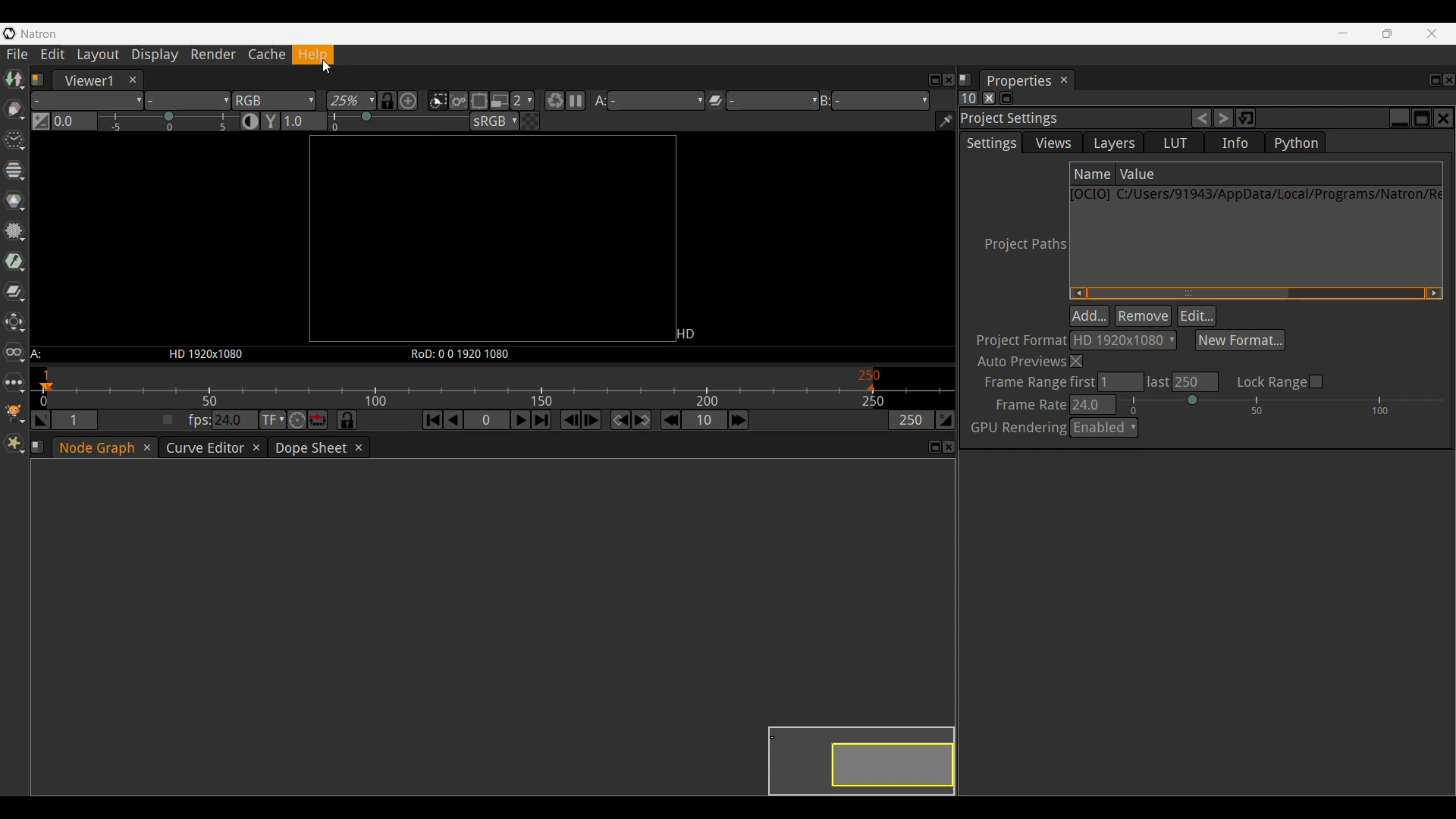 Image resolution: width=1456 pixels, height=819 pixels. What do you see at coordinates (870, 387) in the screenshot?
I see `Play back out pointer` at bounding box center [870, 387].